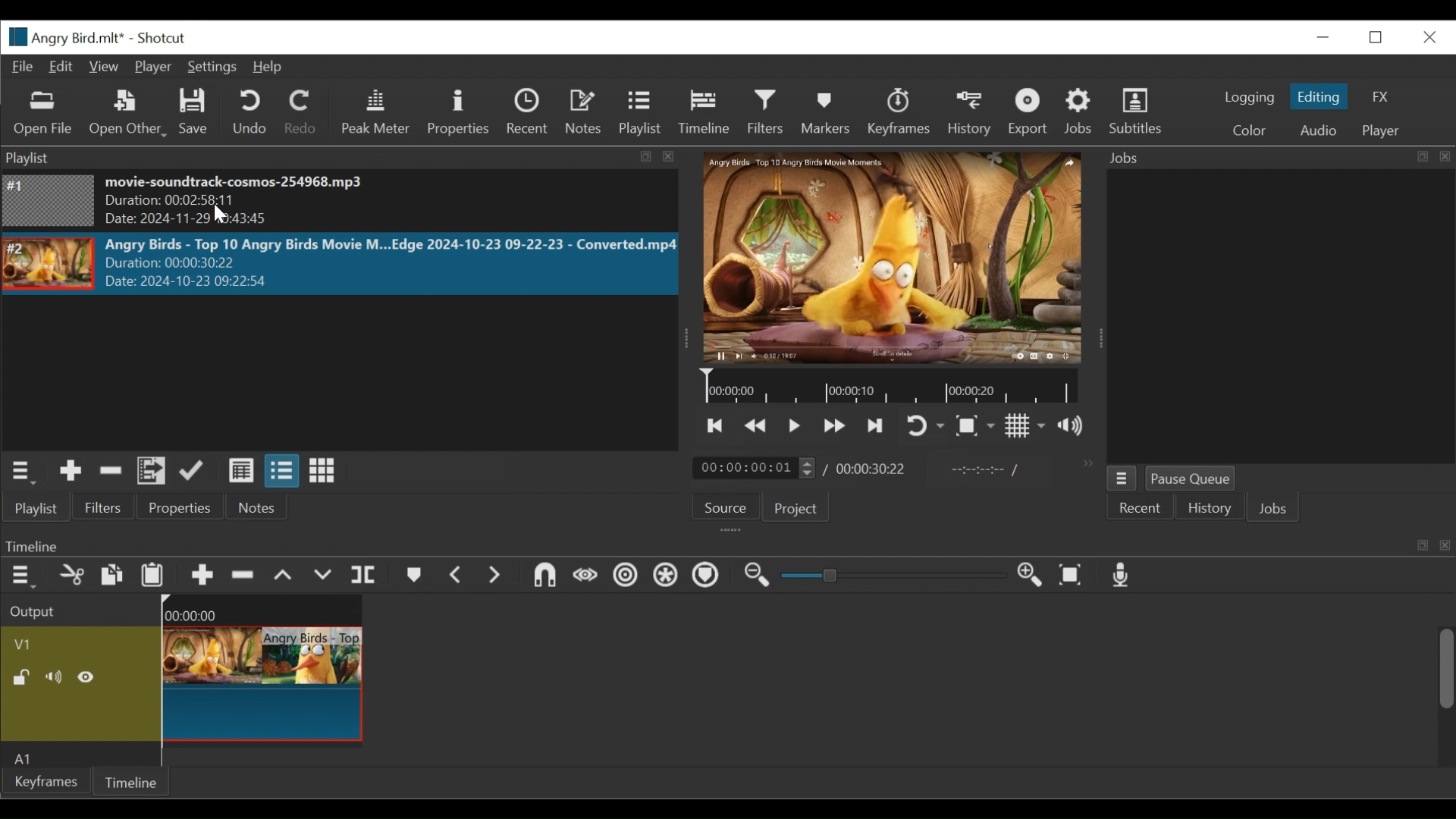  I want to click on Pause Queue, so click(1195, 479).